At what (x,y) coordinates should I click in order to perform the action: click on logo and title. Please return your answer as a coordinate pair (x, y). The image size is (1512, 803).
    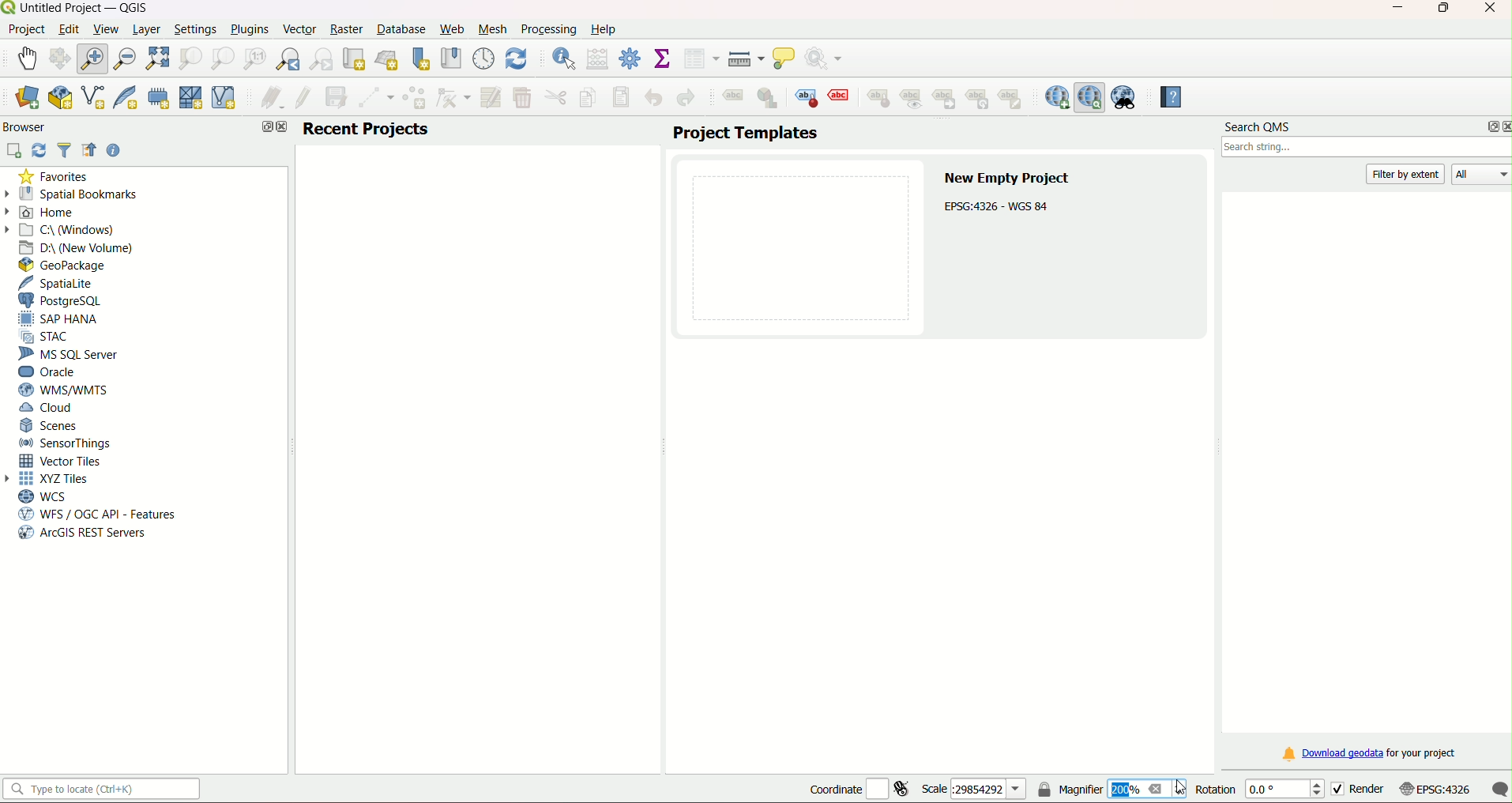
    Looking at the image, I should click on (77, 8).